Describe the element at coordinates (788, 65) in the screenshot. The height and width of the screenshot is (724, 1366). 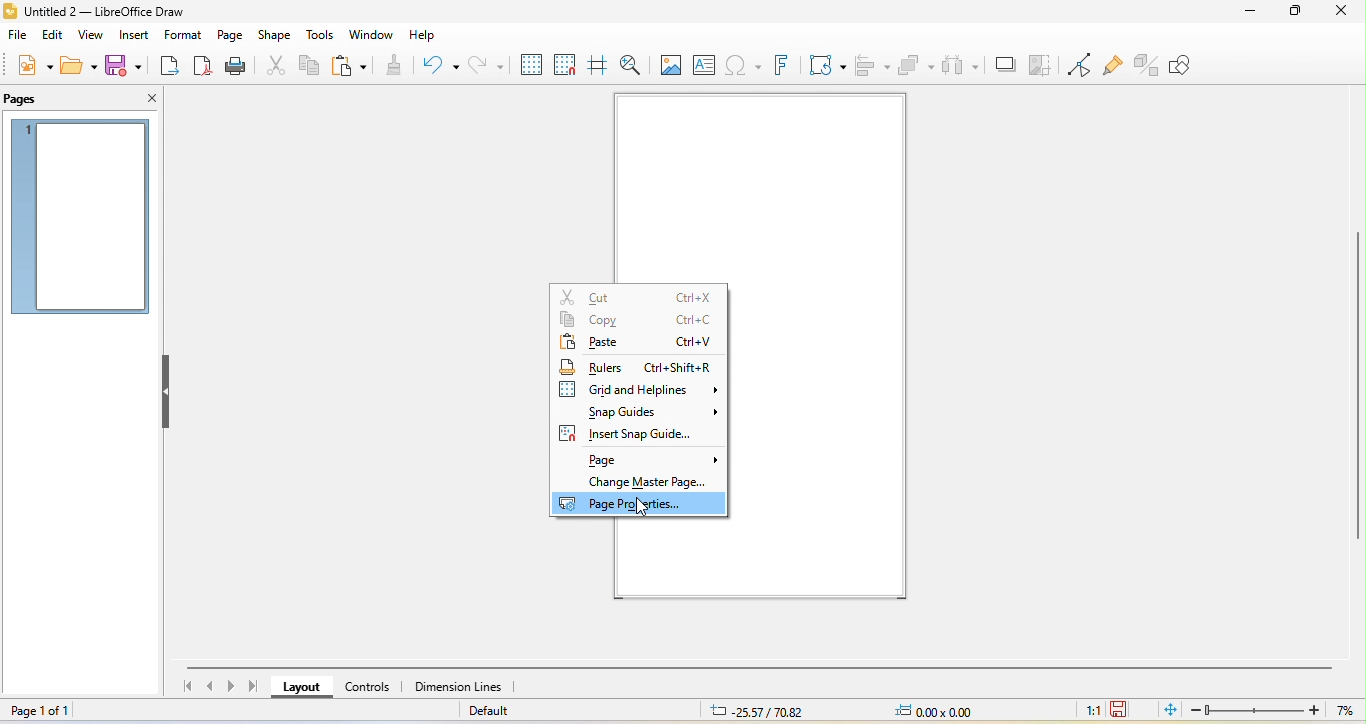
I see `fontwork text` at that location.